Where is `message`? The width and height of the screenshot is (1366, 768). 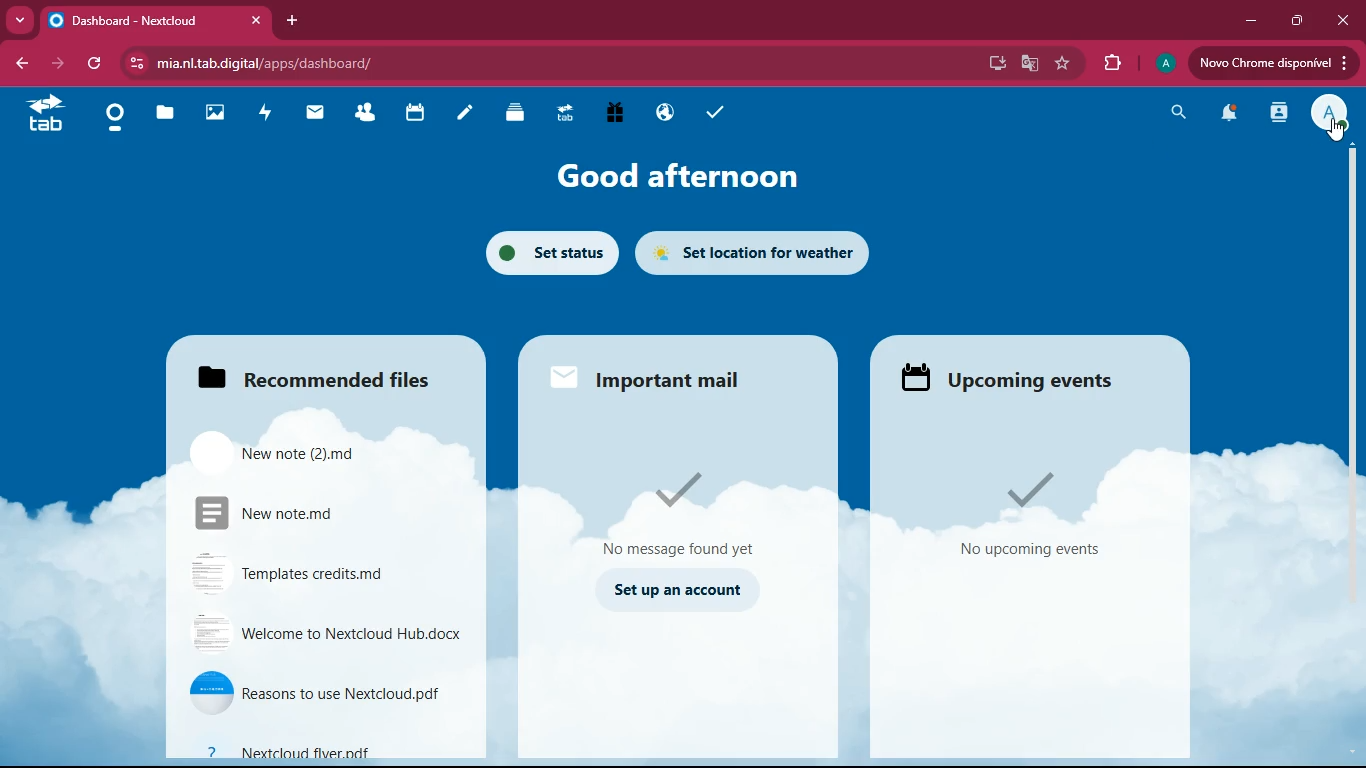
message is located at coordinates (686, 510).